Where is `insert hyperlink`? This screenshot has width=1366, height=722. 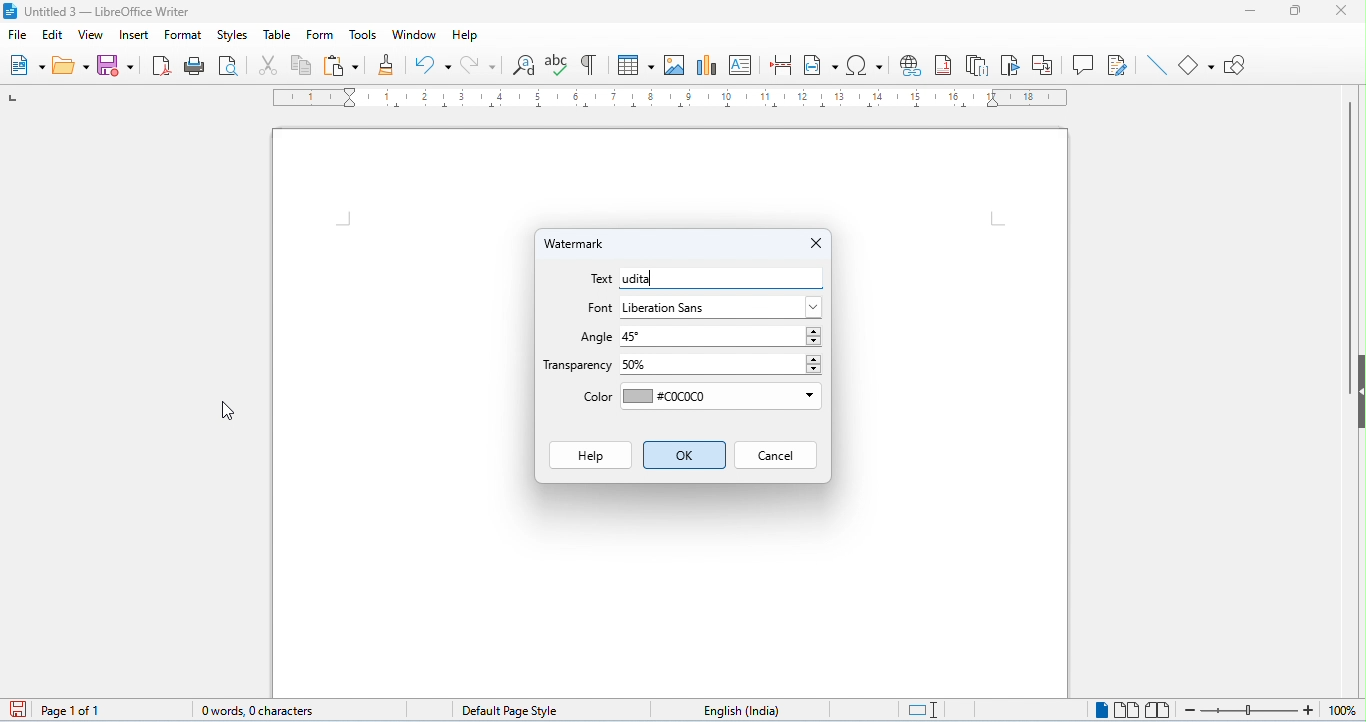
insert hyperlink is located at coordinates (910, 64).